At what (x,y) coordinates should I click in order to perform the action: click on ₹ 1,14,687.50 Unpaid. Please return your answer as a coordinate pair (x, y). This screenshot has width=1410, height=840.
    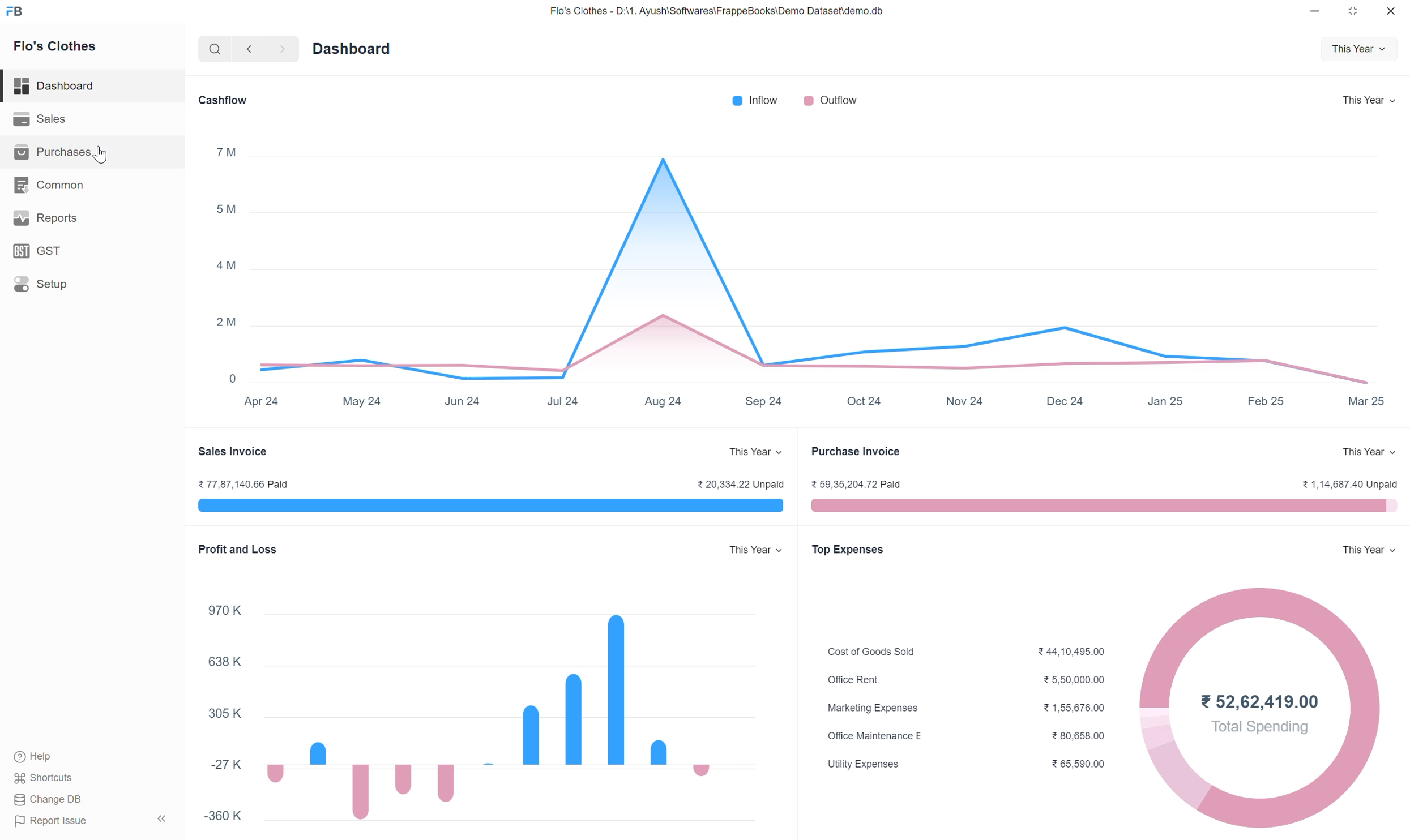
    Looking at the image, I should click on (1351, 485).